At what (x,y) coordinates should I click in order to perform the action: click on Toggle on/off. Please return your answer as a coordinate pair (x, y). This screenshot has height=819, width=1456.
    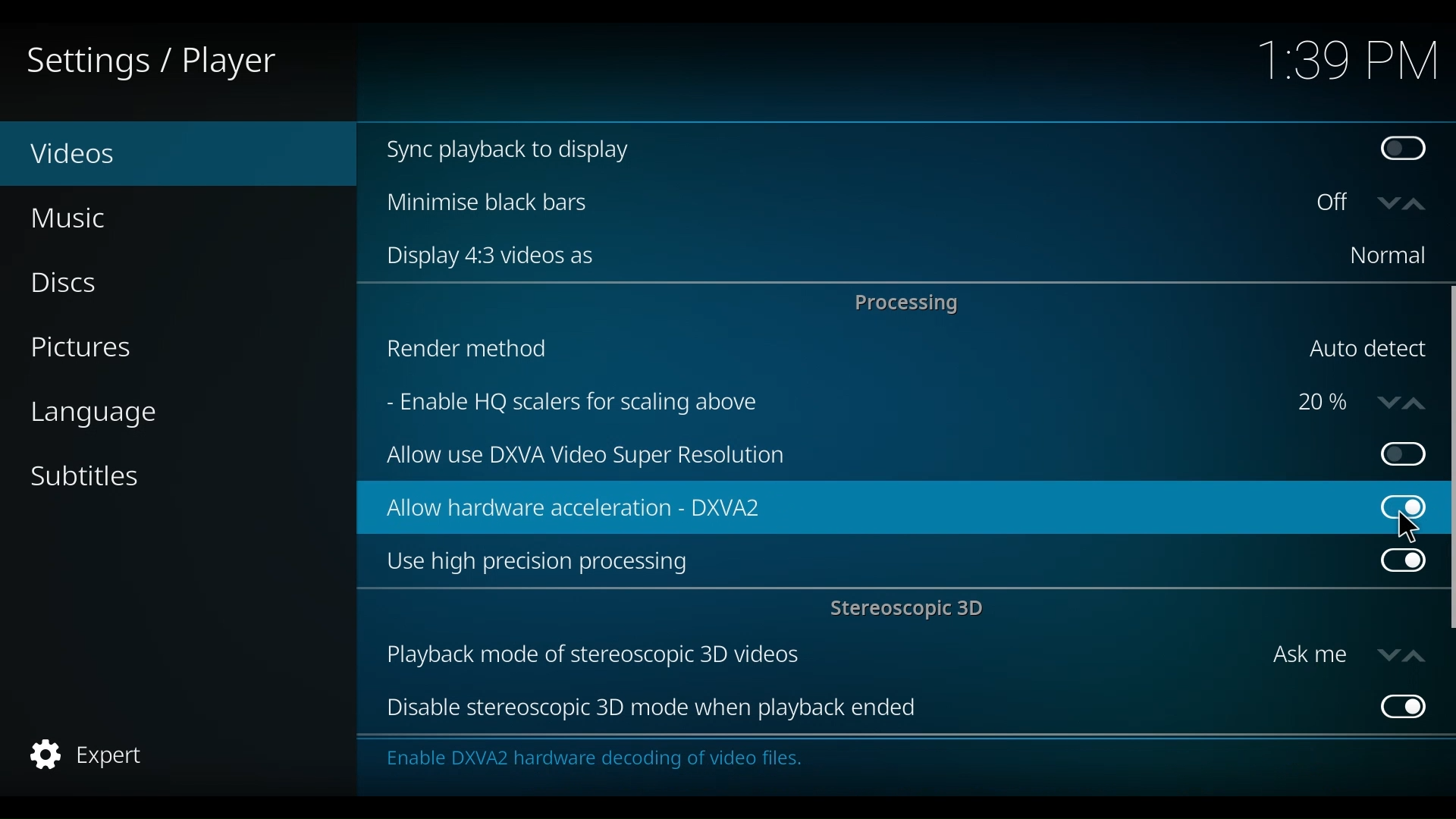
    Looking at the image, I should click on (1394, 454).